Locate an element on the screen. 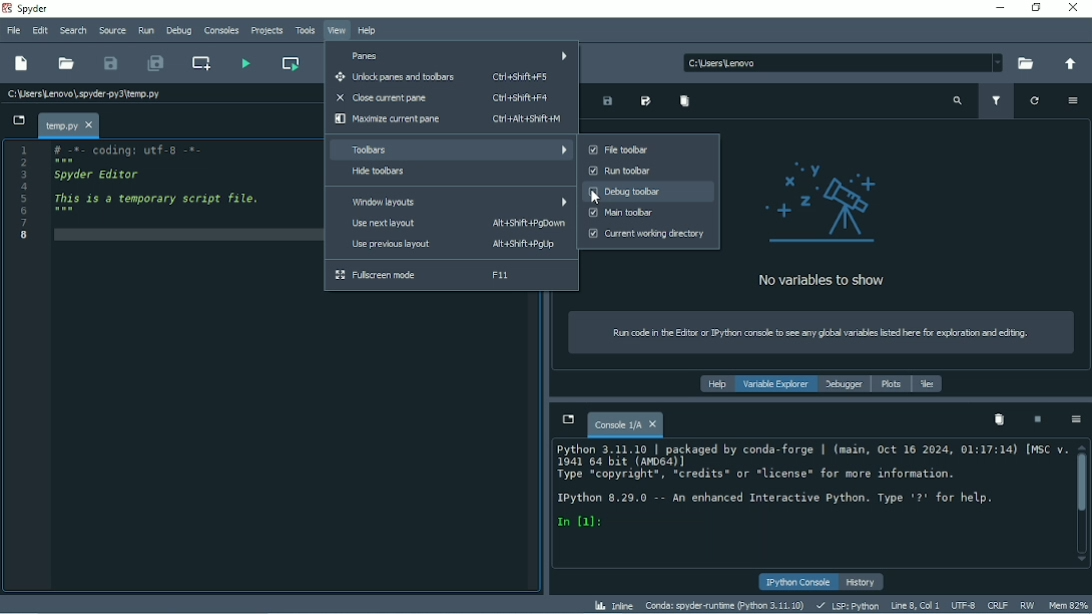 The image size is (1092, 614). File name is located at coordinates (85, 91).